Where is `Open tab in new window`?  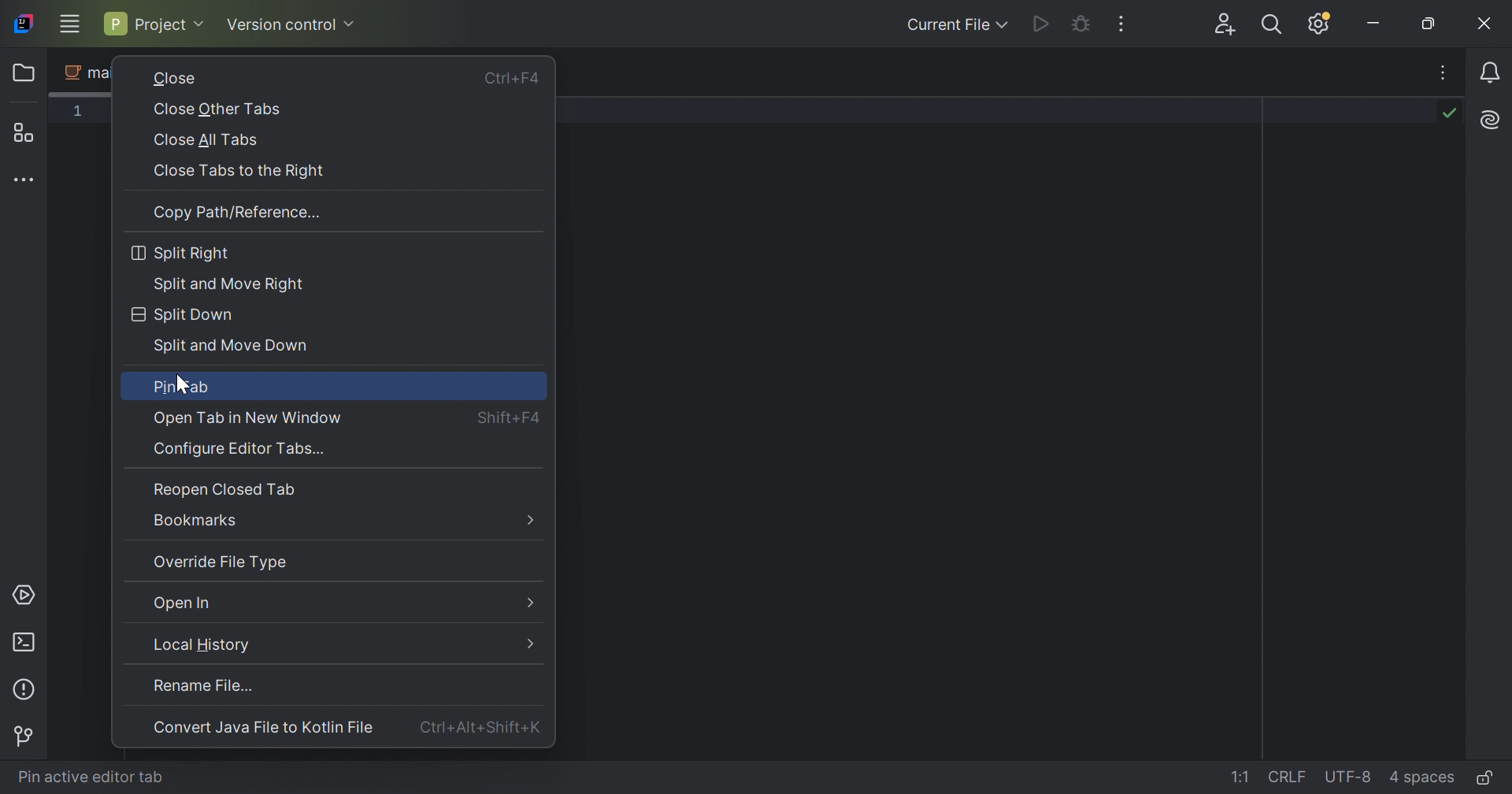
Open tab in new window is located at coordinates (251, 420).